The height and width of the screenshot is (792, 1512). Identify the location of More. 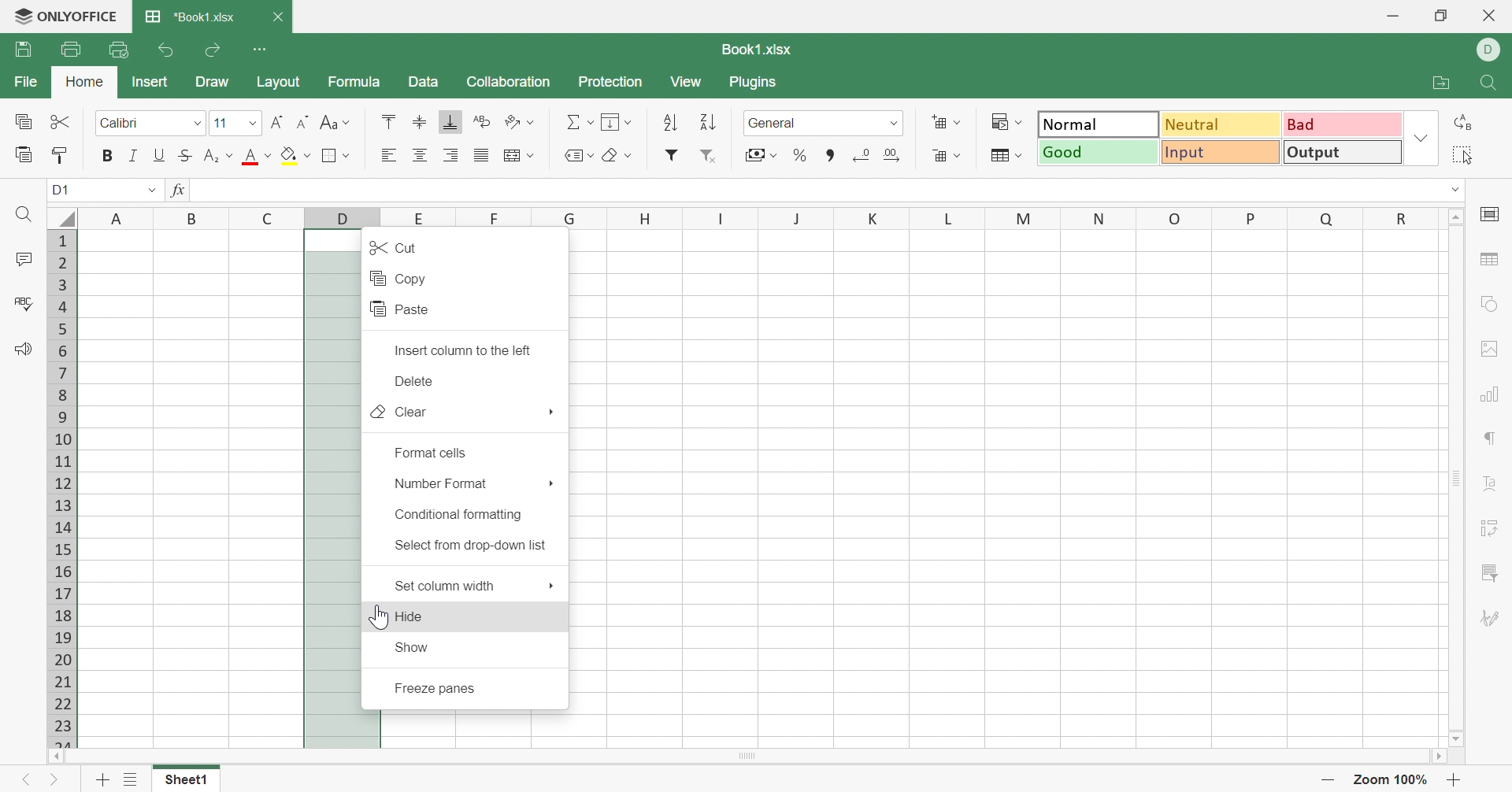
(551, 413).